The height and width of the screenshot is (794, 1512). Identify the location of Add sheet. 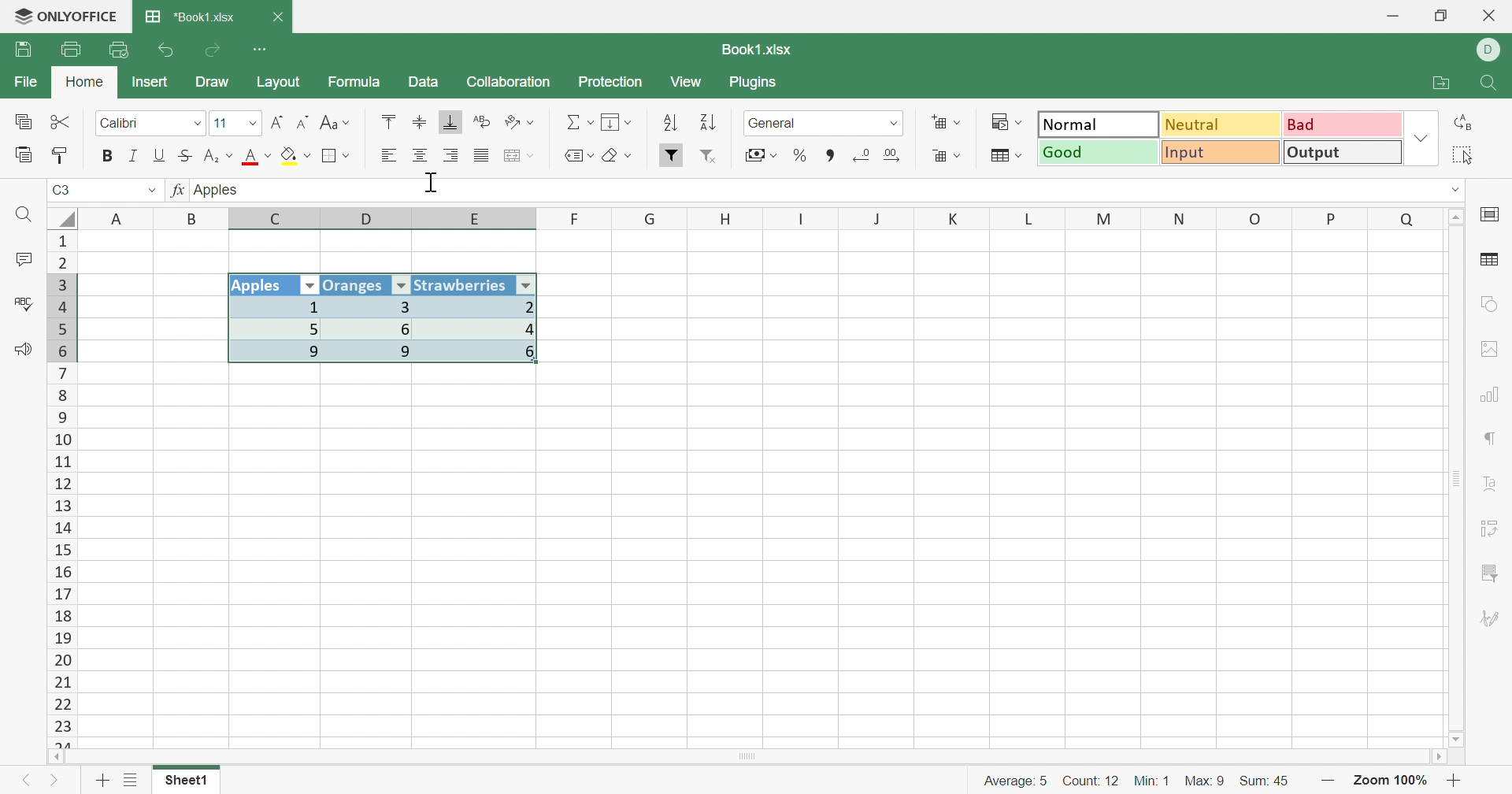
(102, 780).